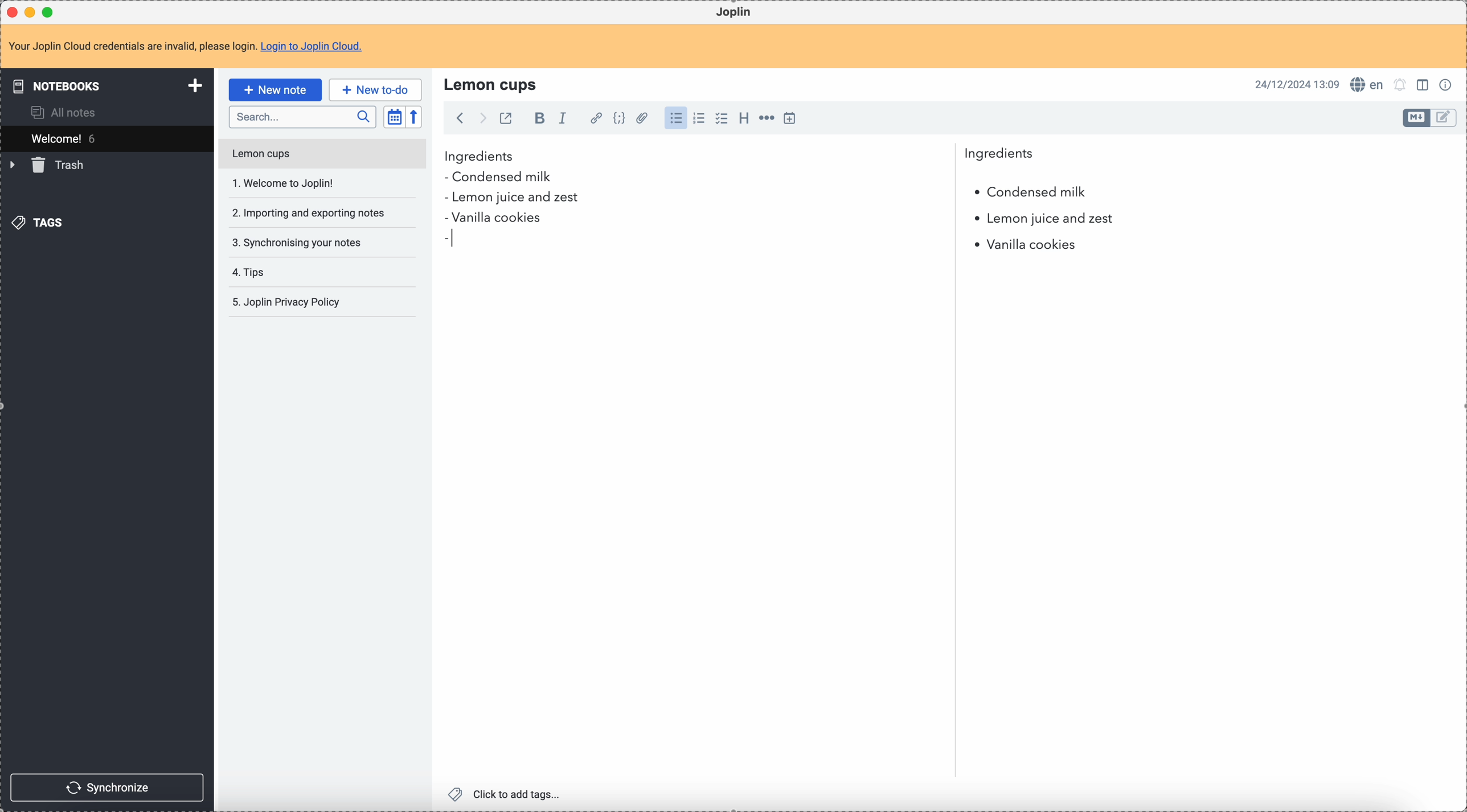 The image size is (1467, 812). Describe the element at coordinates (51, 11) in the screenshot. I see `maximize` at that location.